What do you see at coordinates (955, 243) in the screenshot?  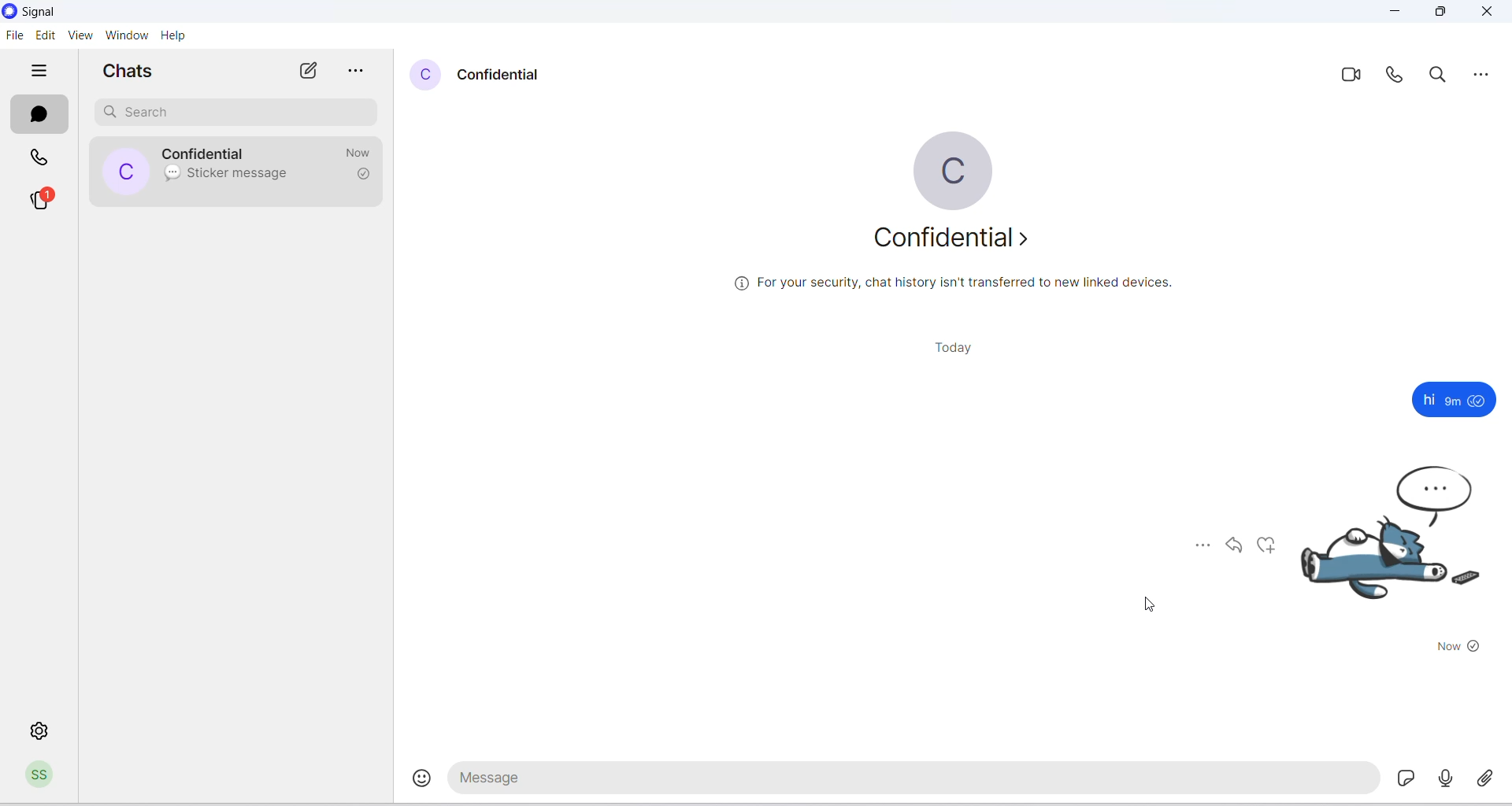 I see `about contact` at bounding box center [955, 243].